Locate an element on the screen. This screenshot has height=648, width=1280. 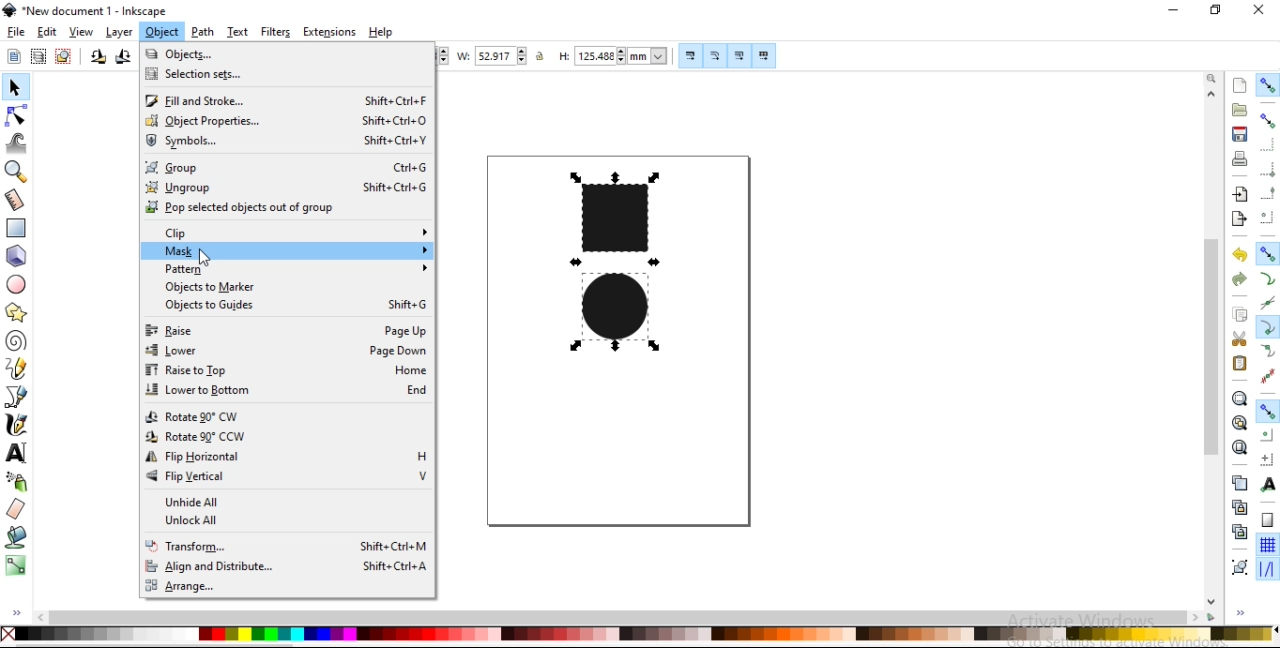
ungroup is located at coordinates (286, 190).